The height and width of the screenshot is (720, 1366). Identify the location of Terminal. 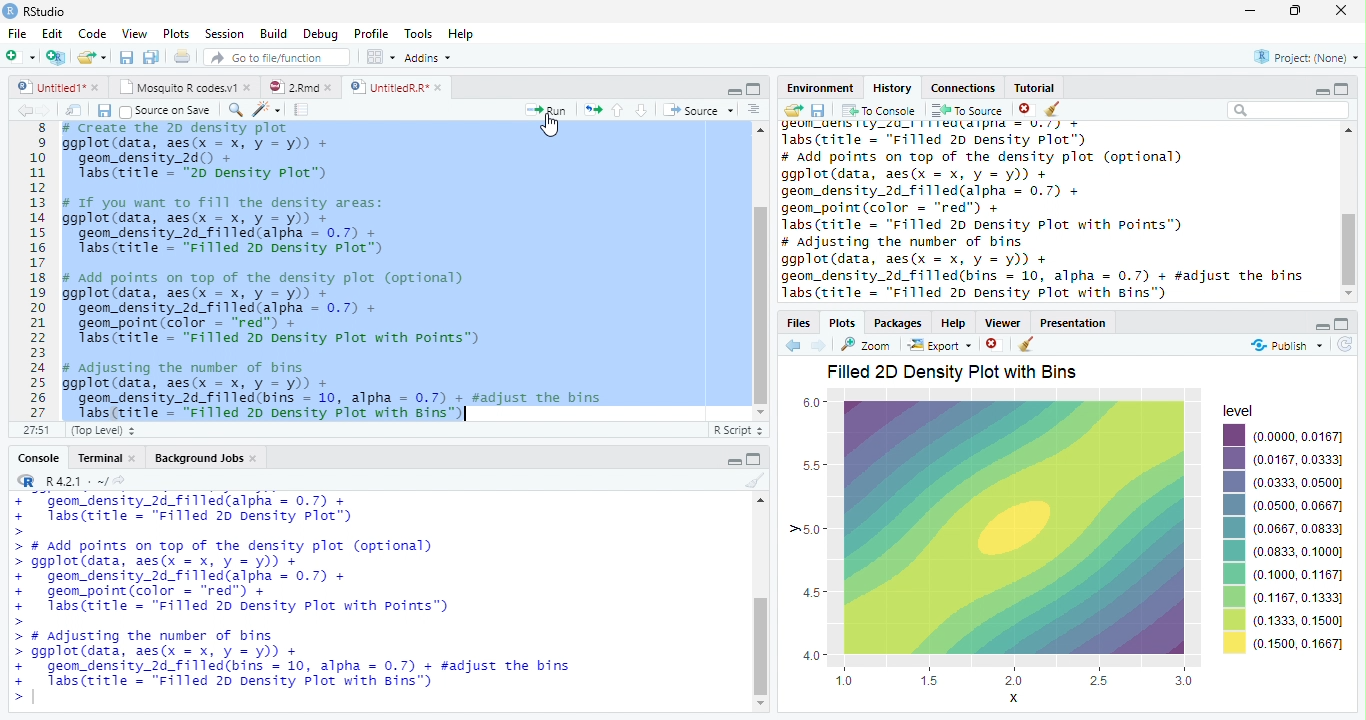
(99, 458).